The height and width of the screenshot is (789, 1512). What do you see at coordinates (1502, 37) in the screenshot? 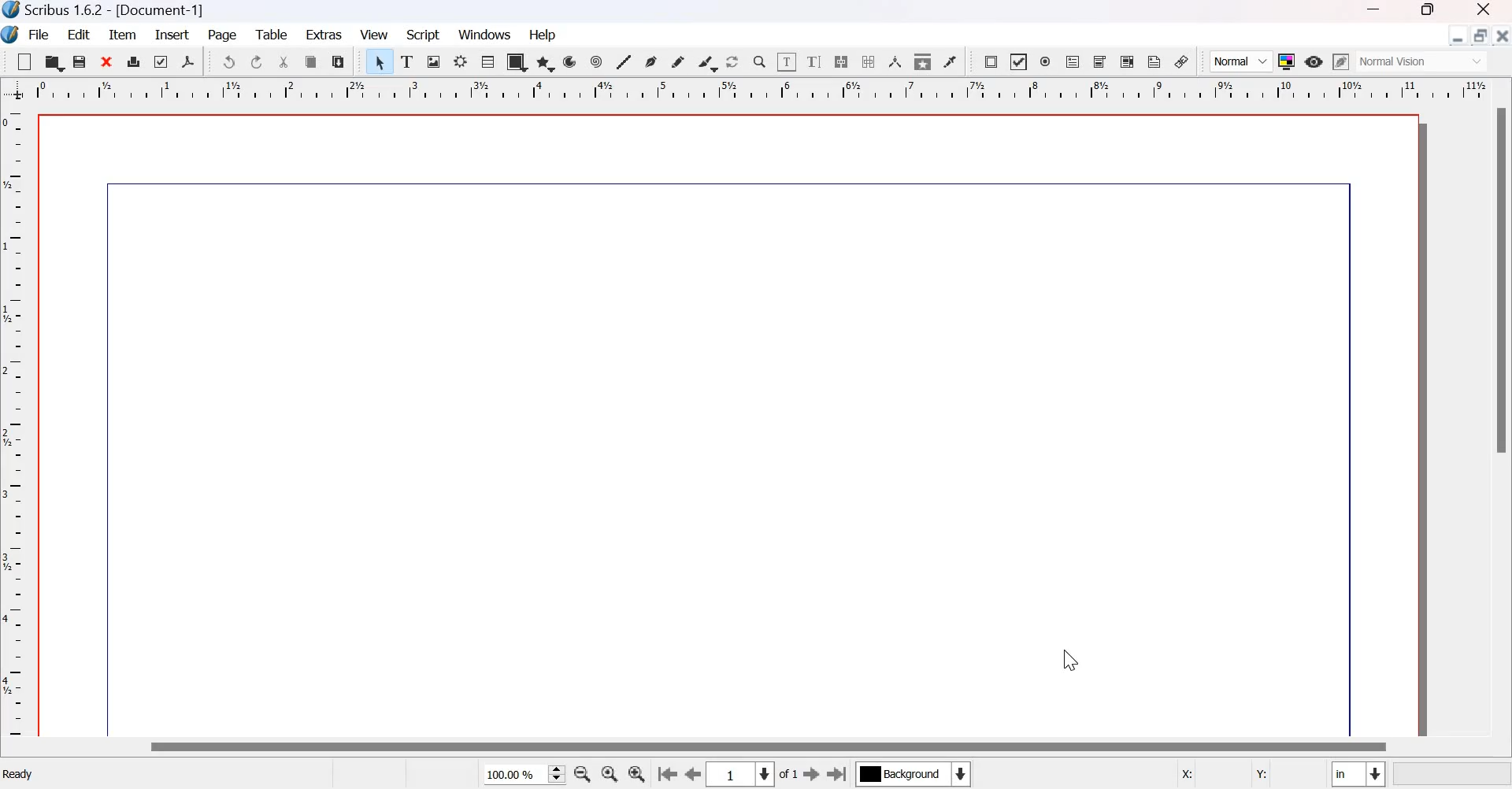
I see ` close` at bounding box center [1502, 37].